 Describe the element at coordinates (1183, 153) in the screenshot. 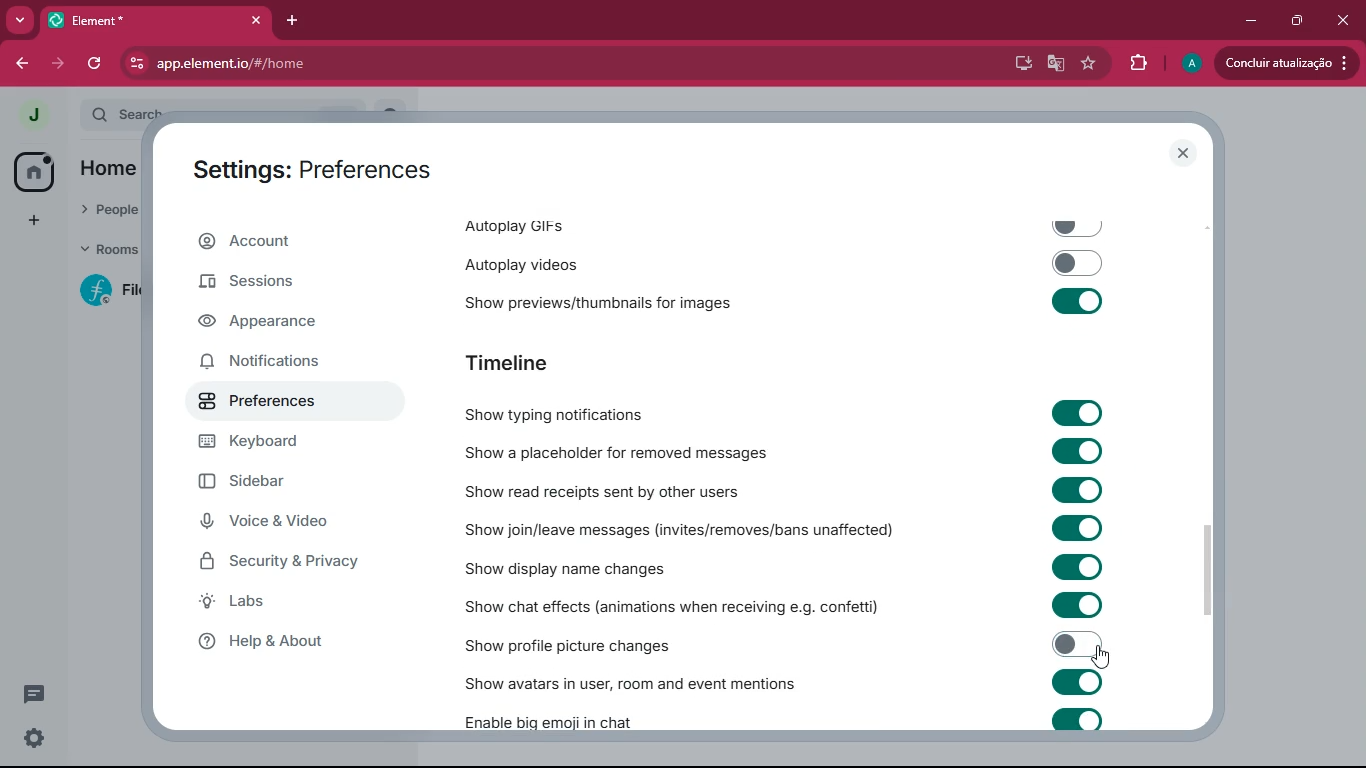

I see `close` at that location.